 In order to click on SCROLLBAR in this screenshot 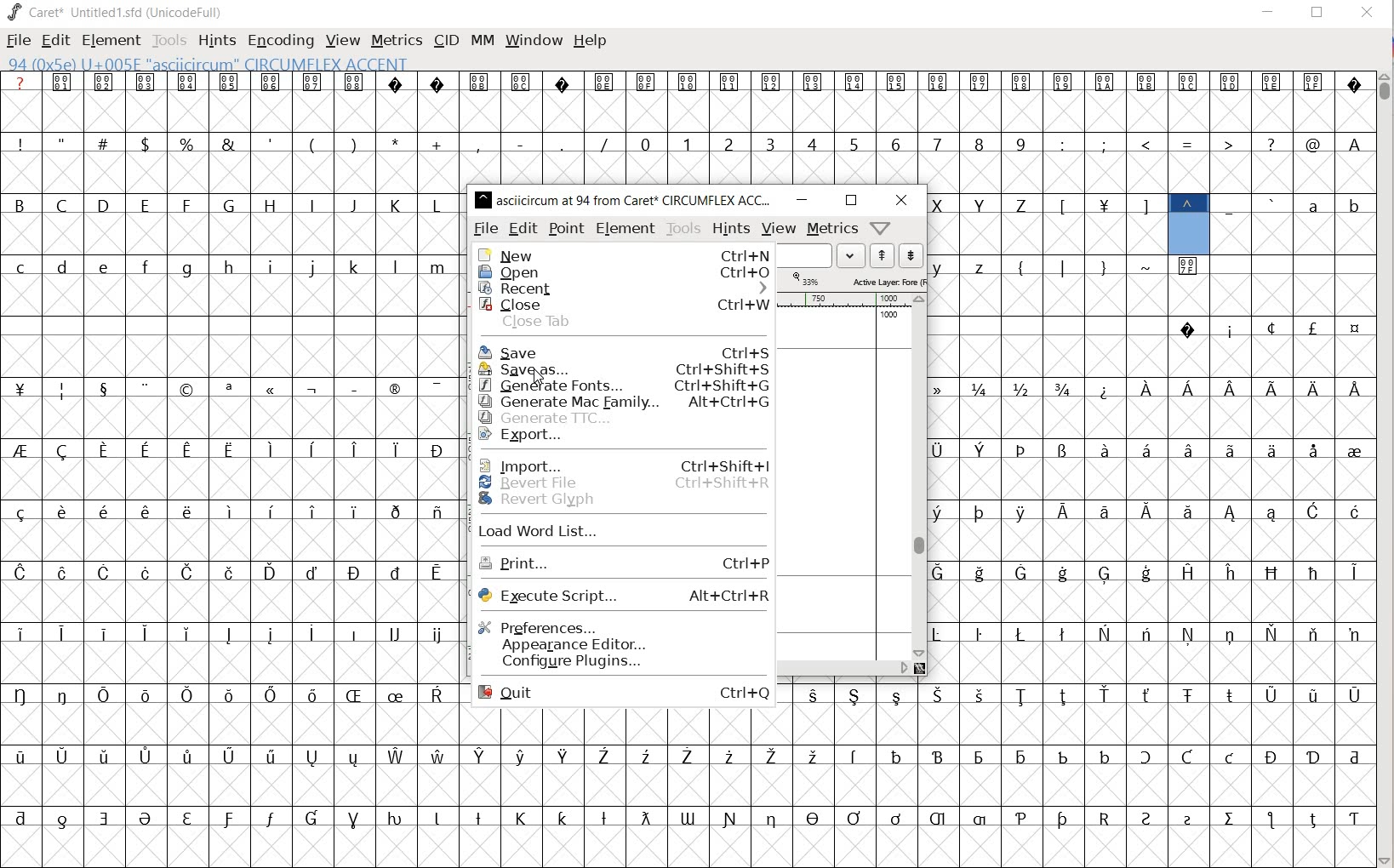, I will do `click(1385, 467)`.